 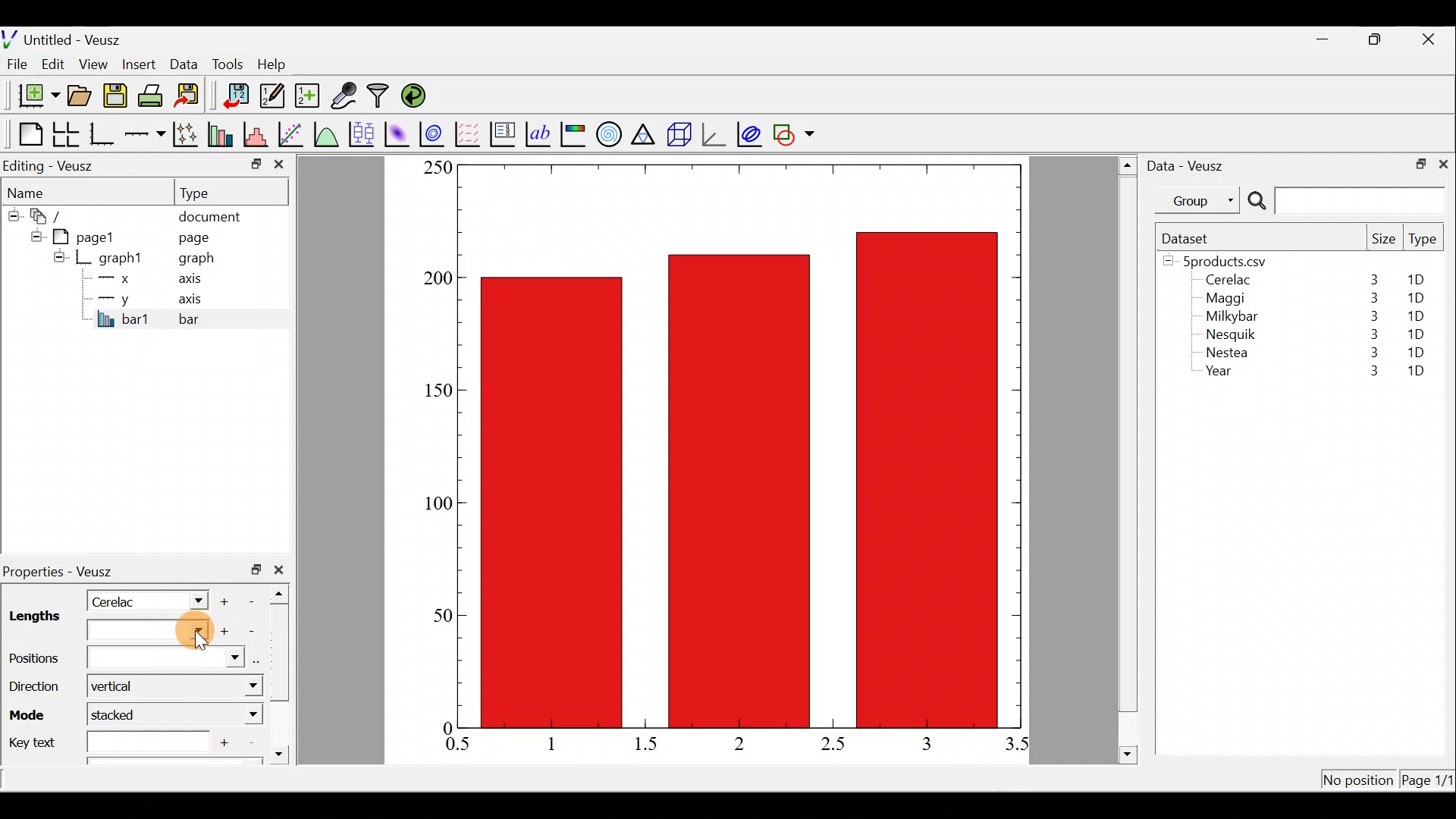 What do you see at coordinates (190, 633) in the screenshot?
I see `Cursor` at bounding box center [190, 633].